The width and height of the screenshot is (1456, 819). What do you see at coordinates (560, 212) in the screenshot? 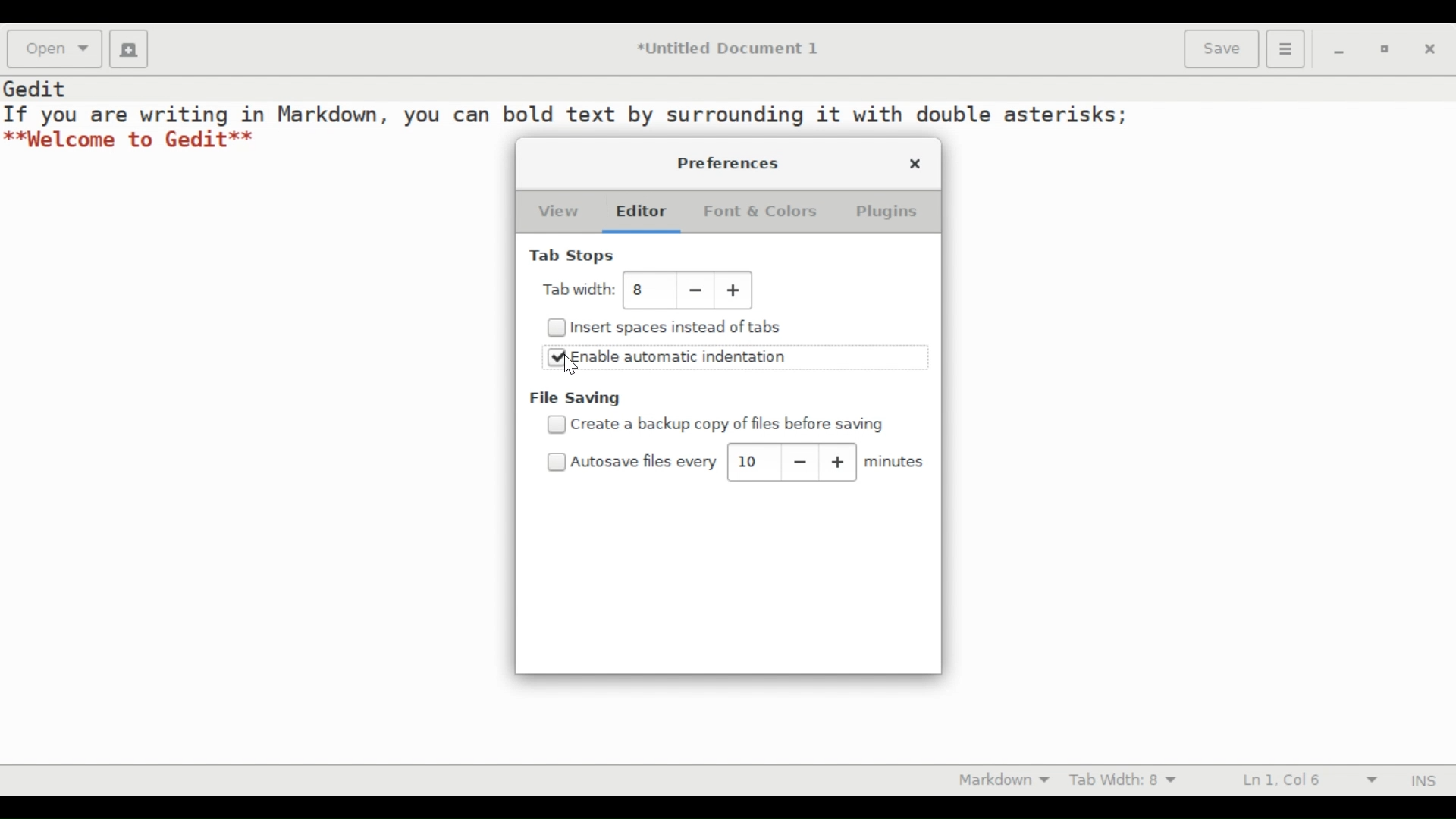
I see `View` at bounding box center [560, 212].